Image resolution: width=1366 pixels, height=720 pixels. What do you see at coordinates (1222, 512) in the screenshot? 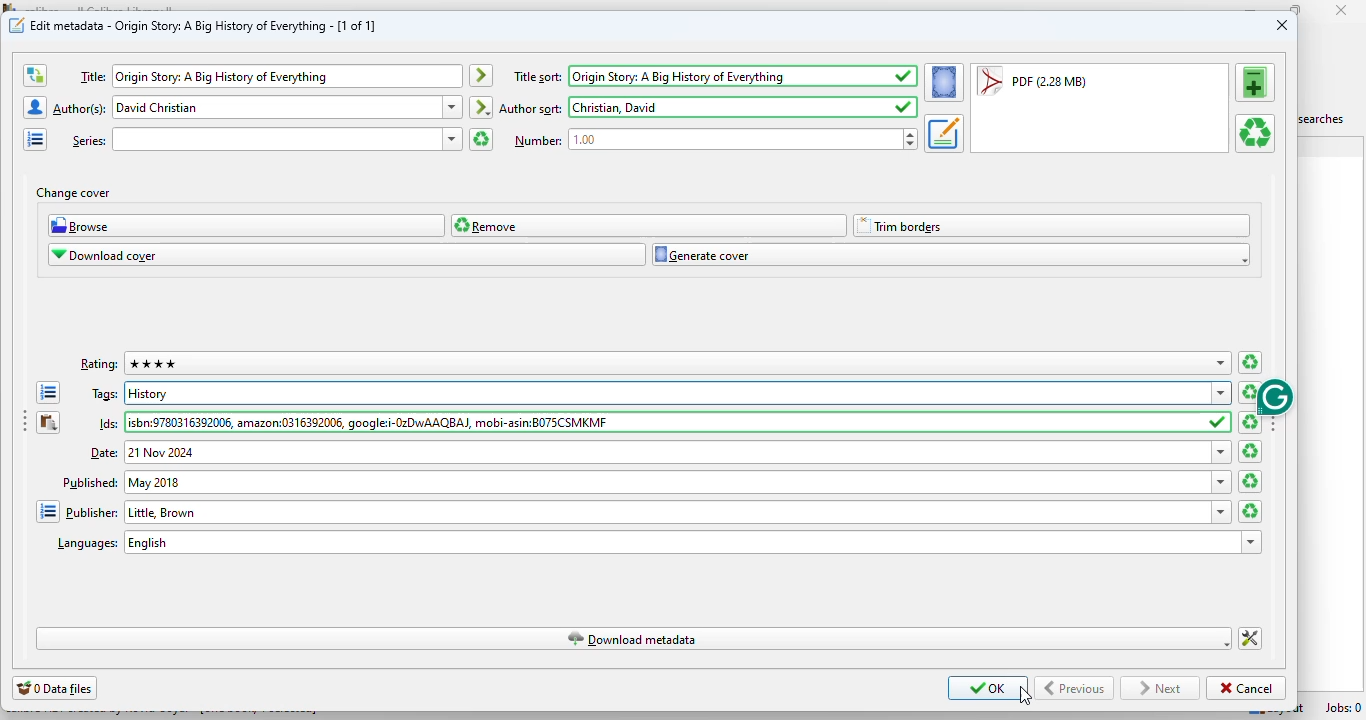
I see `dropdown` at bounding box center [1222, 512].